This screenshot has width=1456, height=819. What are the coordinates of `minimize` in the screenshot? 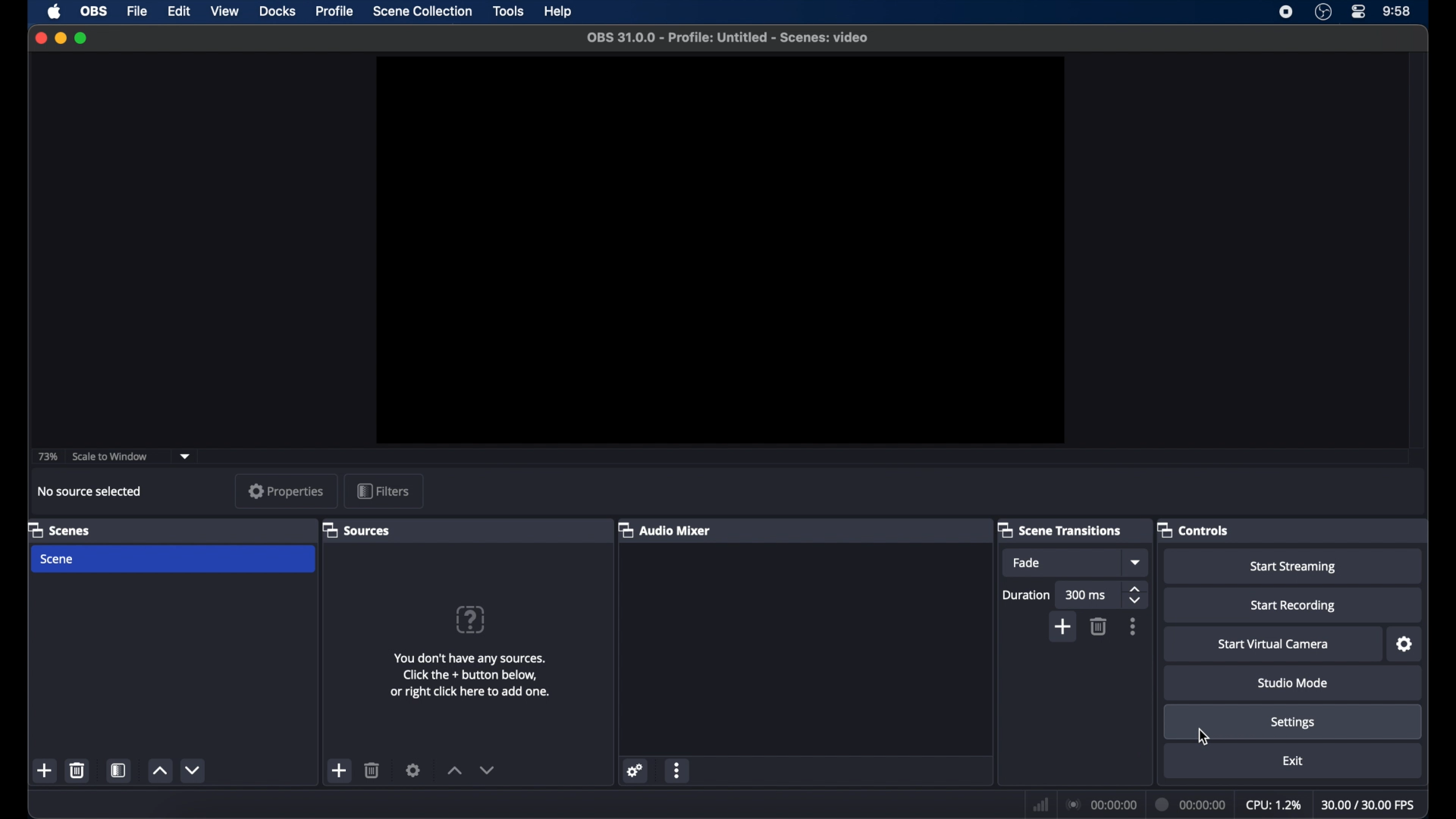 It's located at (61, 38).